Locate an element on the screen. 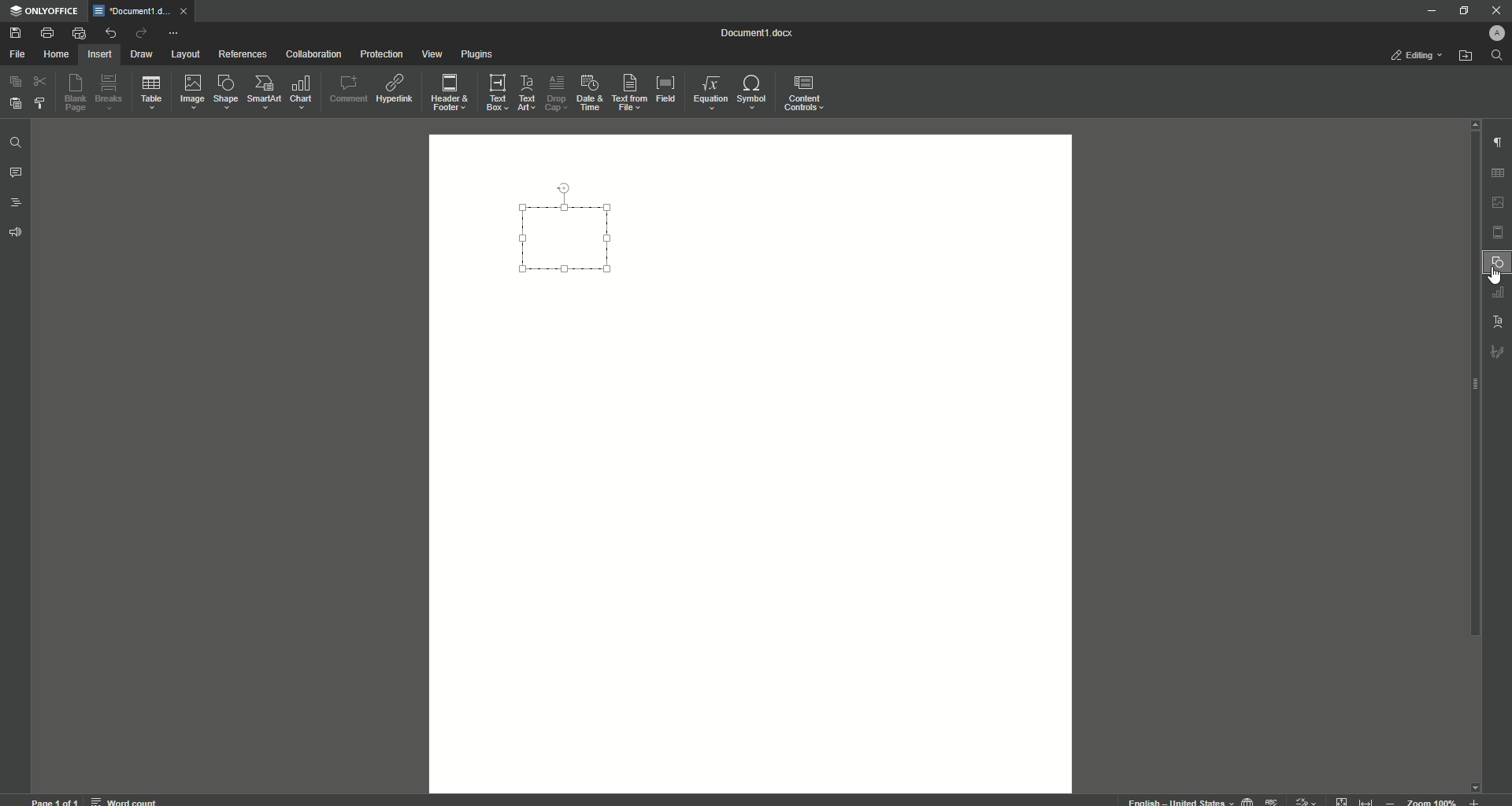 This screenshot has height=806, width=1512. Minimize is located at coordinates (1427, 10).